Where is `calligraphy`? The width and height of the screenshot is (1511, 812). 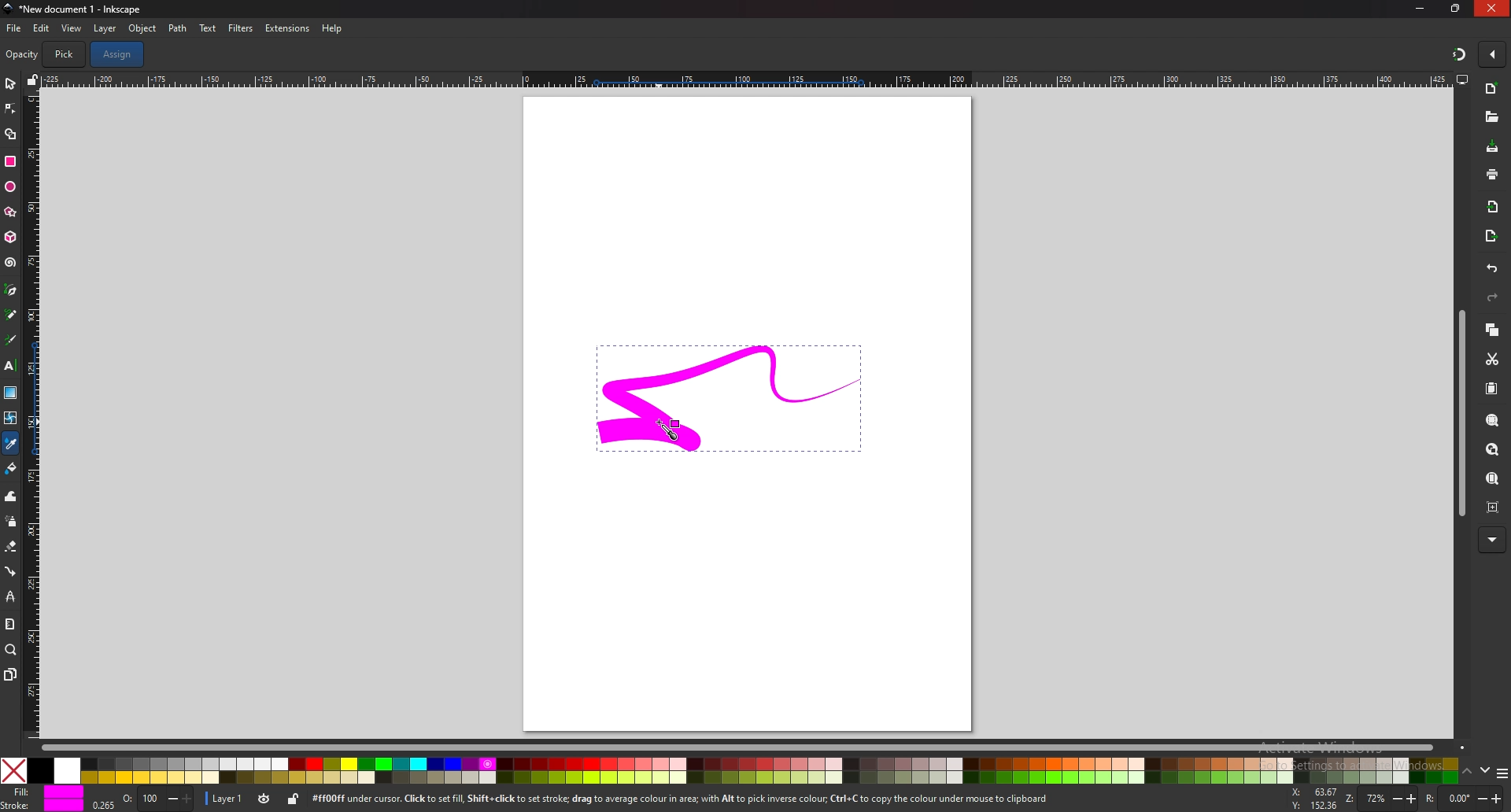
calligraphy is located at coordinates (10, 339).